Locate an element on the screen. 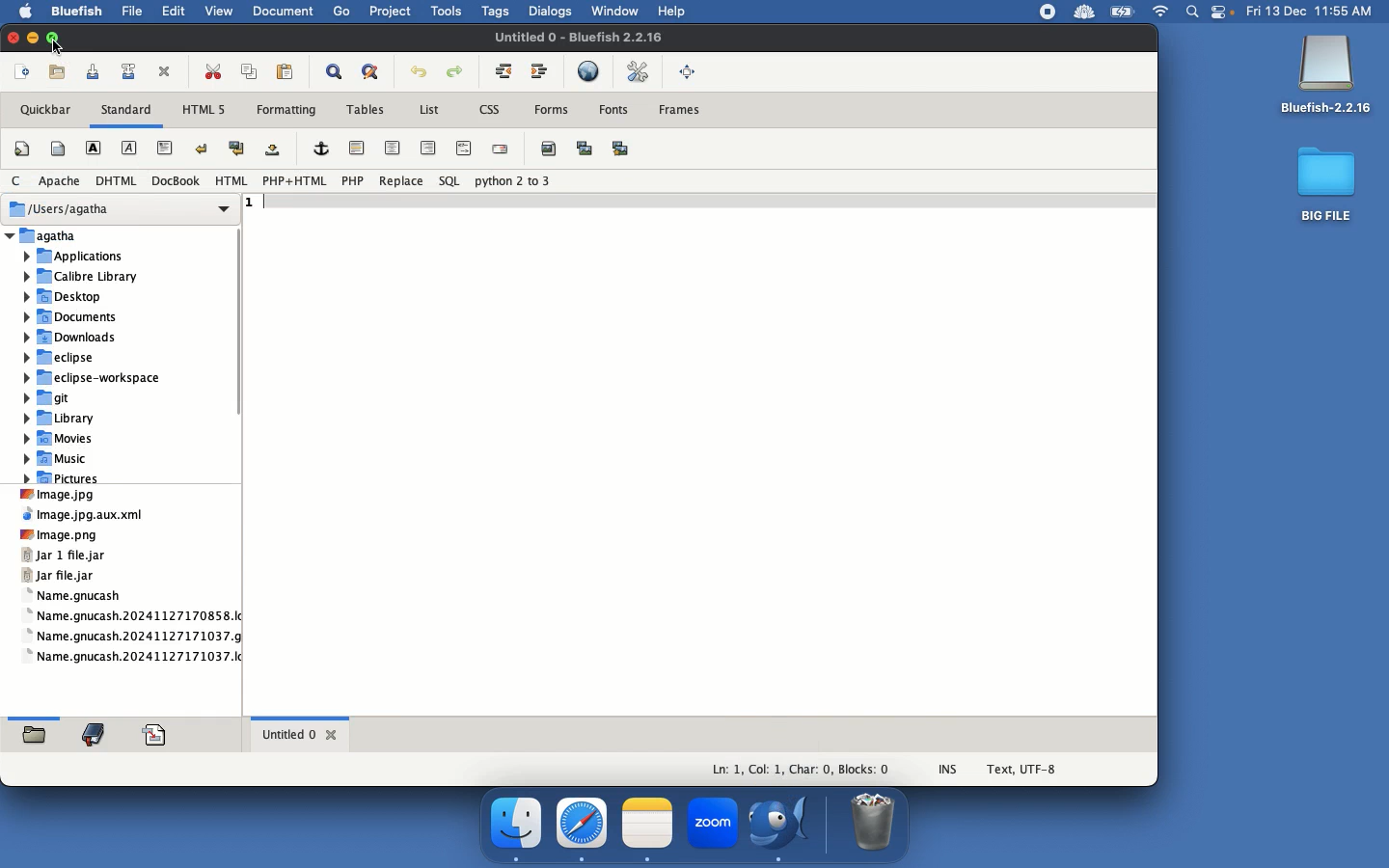  Indent is located at coordinates (540, 72).